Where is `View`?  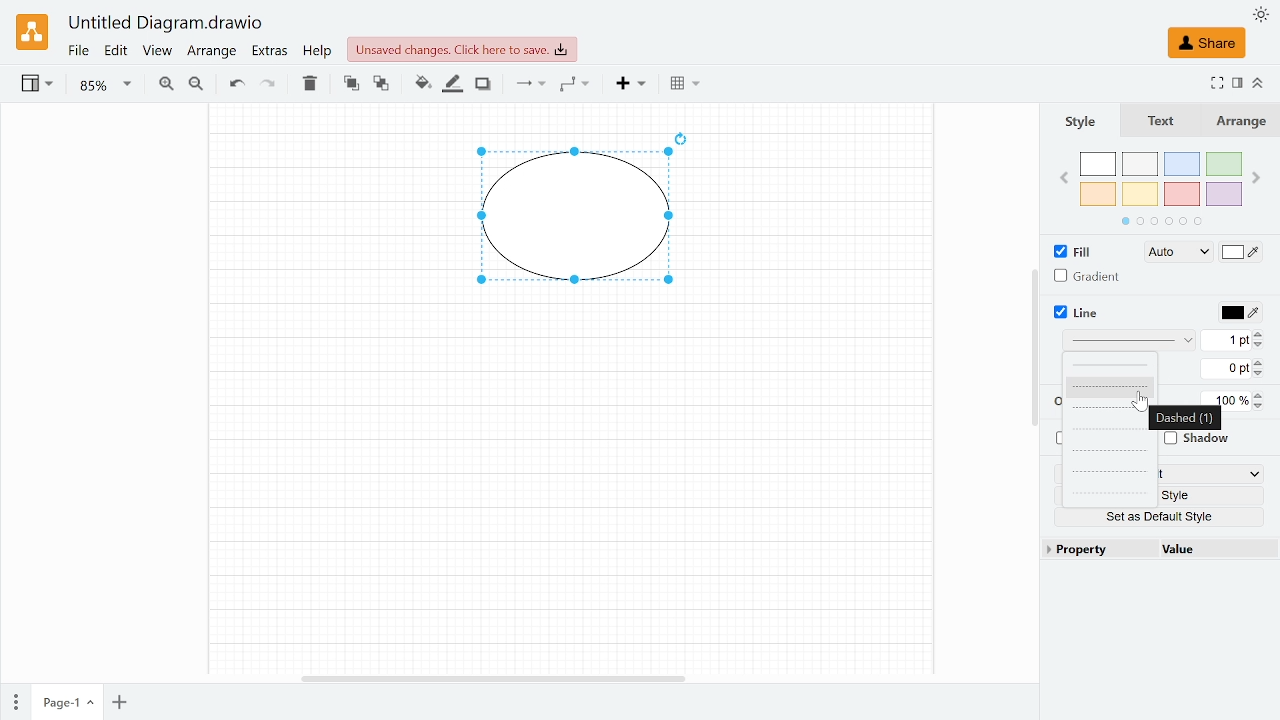 View is located at coordinates (157, 52).